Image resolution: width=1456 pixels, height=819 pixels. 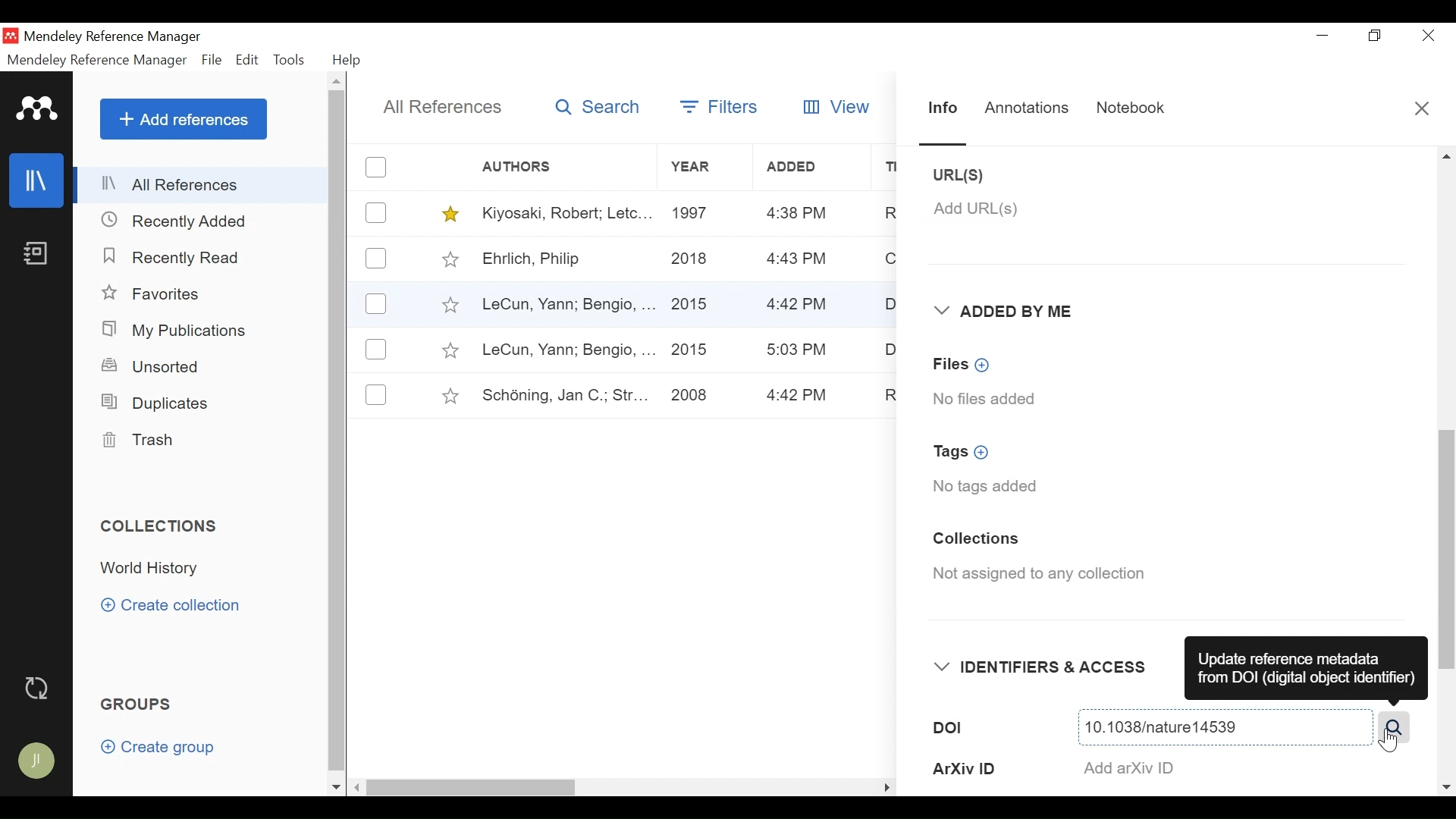 What do you see at coordinates (152, 366) in the screenshot?
I see `Unsorted` at bounding box center [152, 366].